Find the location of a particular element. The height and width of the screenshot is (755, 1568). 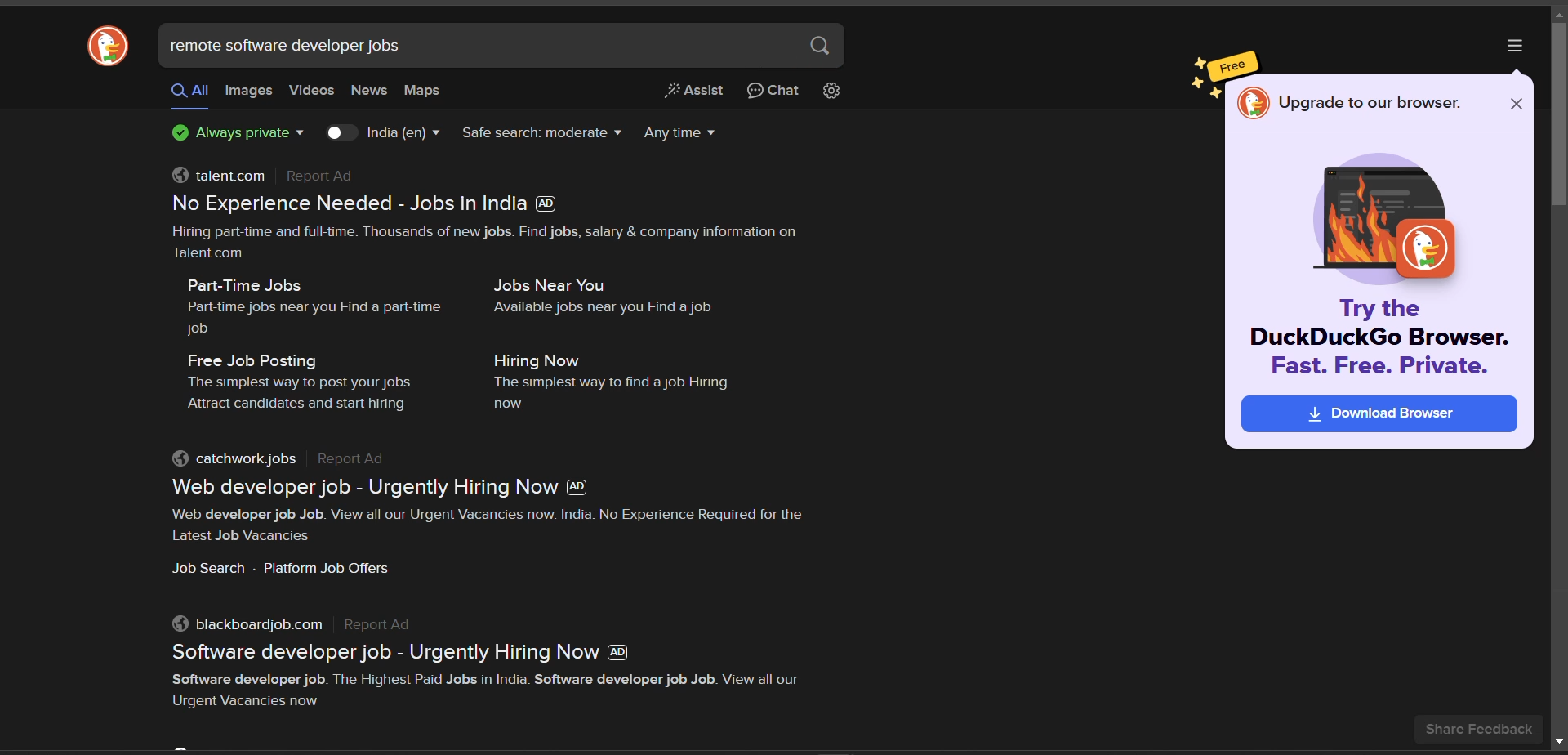

privacy protection badge is located at coordinates (234, 136).